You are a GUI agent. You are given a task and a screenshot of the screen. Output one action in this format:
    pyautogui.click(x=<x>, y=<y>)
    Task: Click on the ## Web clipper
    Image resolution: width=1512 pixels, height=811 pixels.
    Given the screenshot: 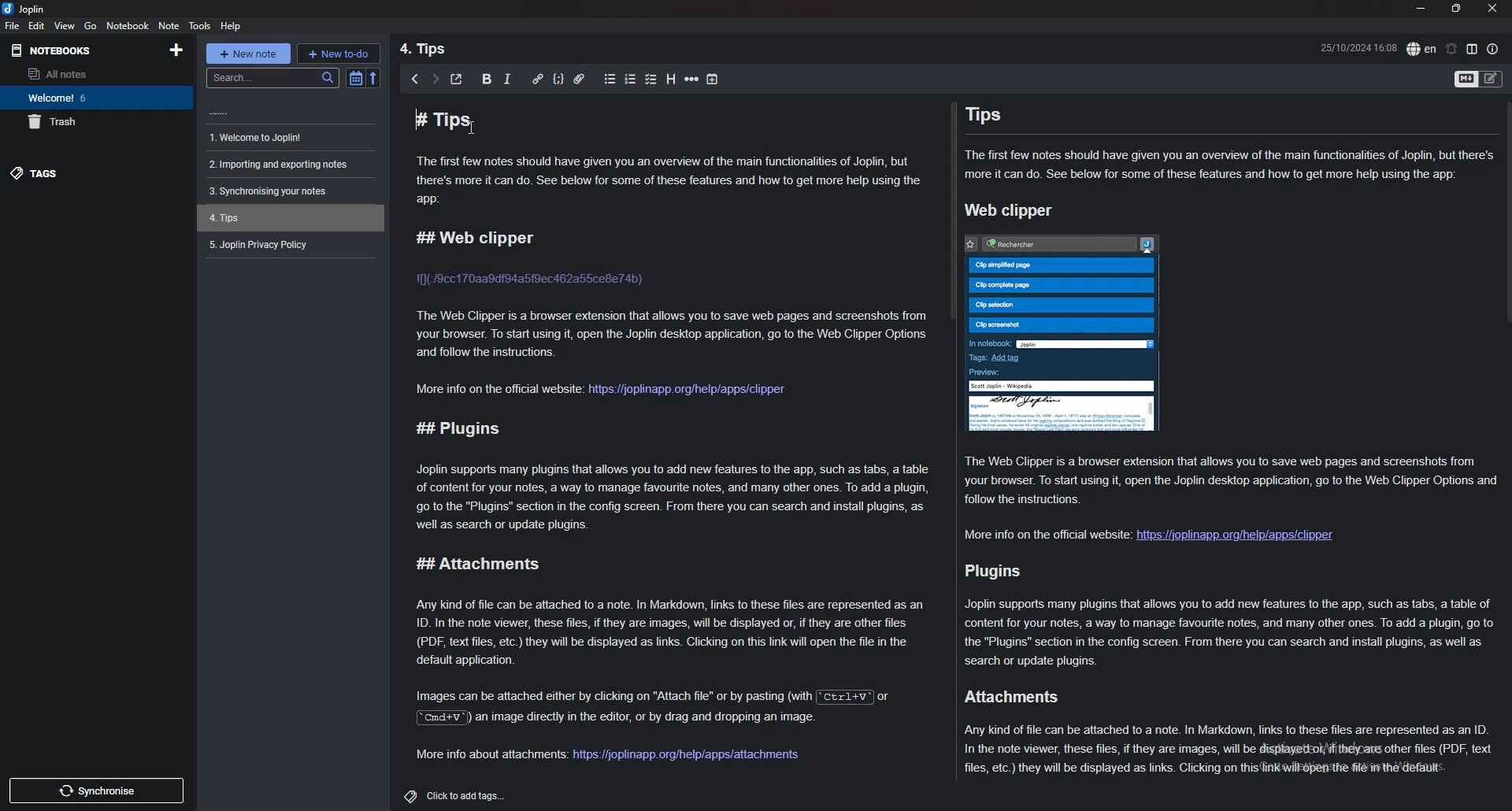 What is the action you would take?
    pyautogui.click(x=476, y=237)
    